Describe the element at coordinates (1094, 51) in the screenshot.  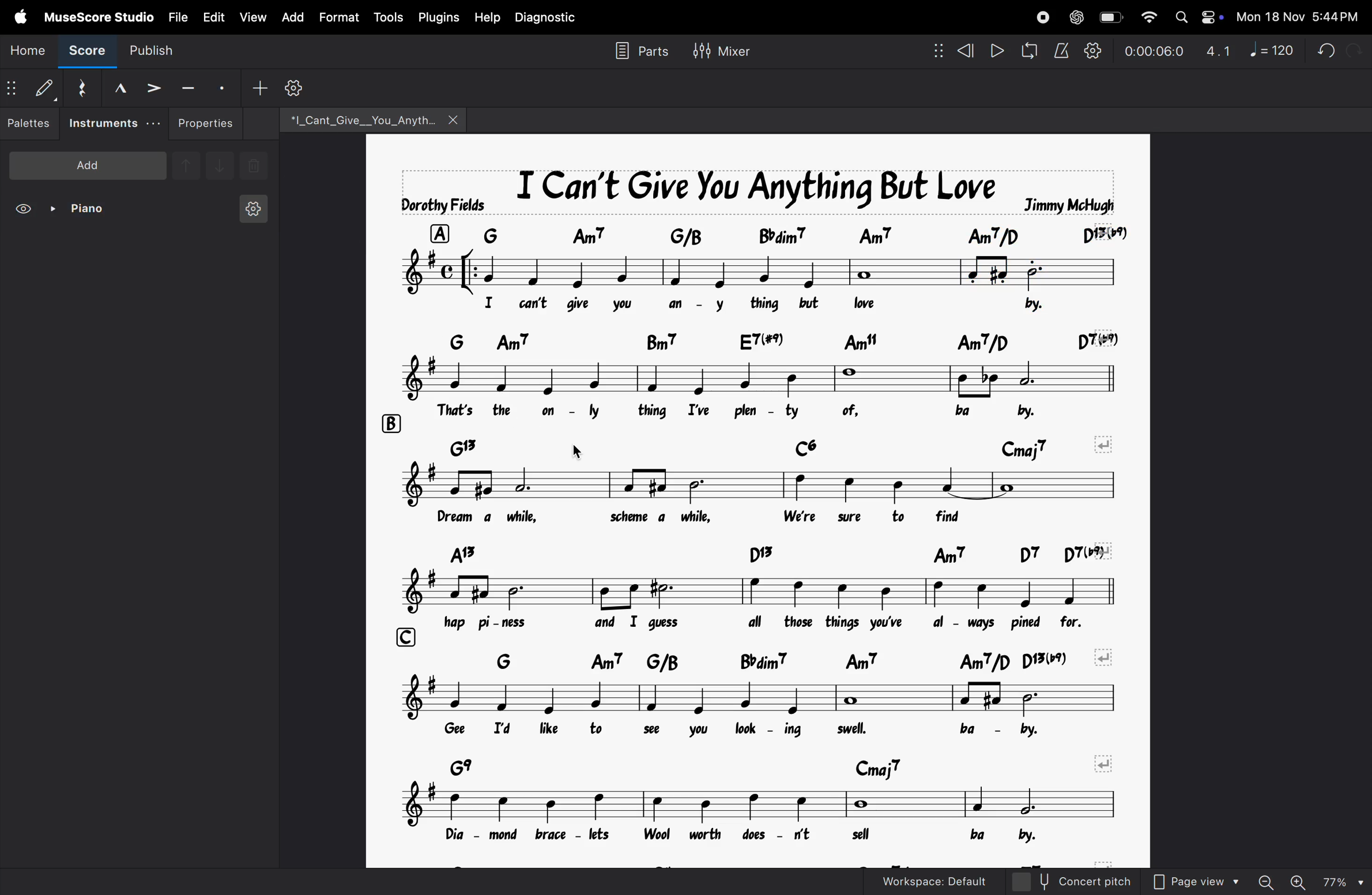
I see `playback settings` at that location.